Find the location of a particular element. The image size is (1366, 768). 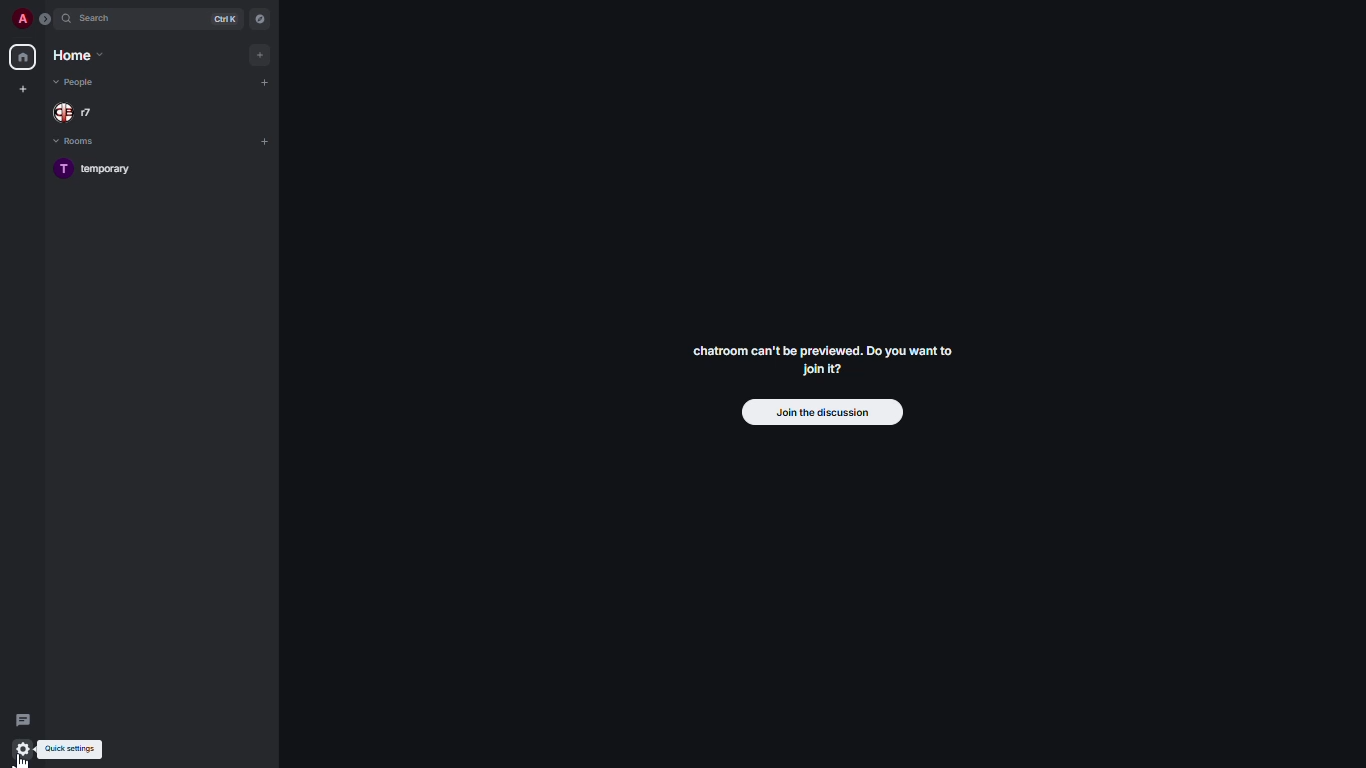

home is located at coordinates (76, 55).